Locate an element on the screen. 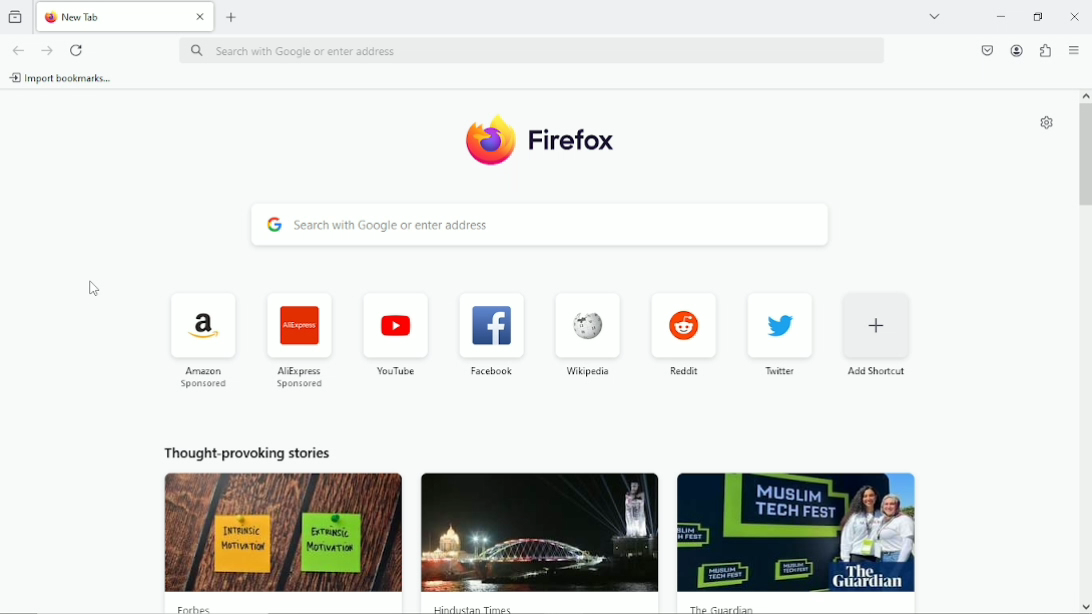  Reddit is located at coordinates (684, 333).